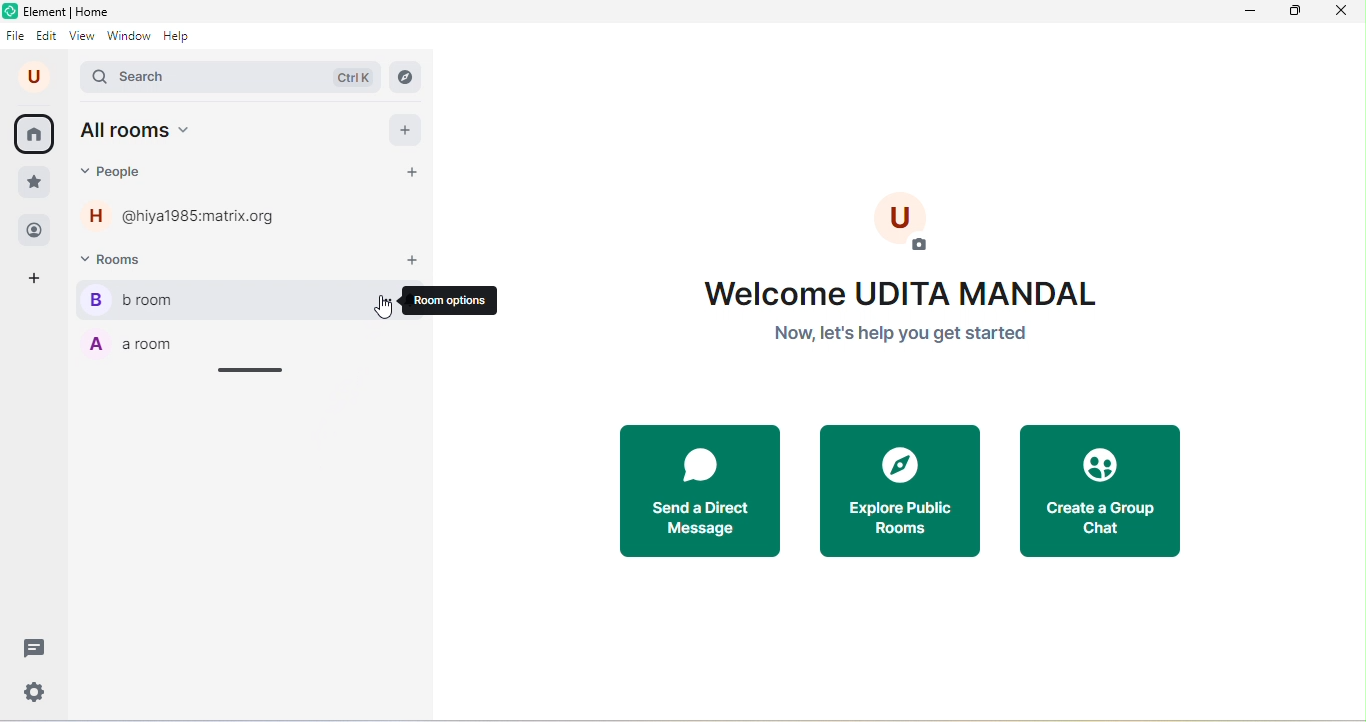 Image resolution: width=1366 pixels, height=722 pixels. Describe the element at coordinates (135, 129) in the screenshot. I see `all rooms` at that location.